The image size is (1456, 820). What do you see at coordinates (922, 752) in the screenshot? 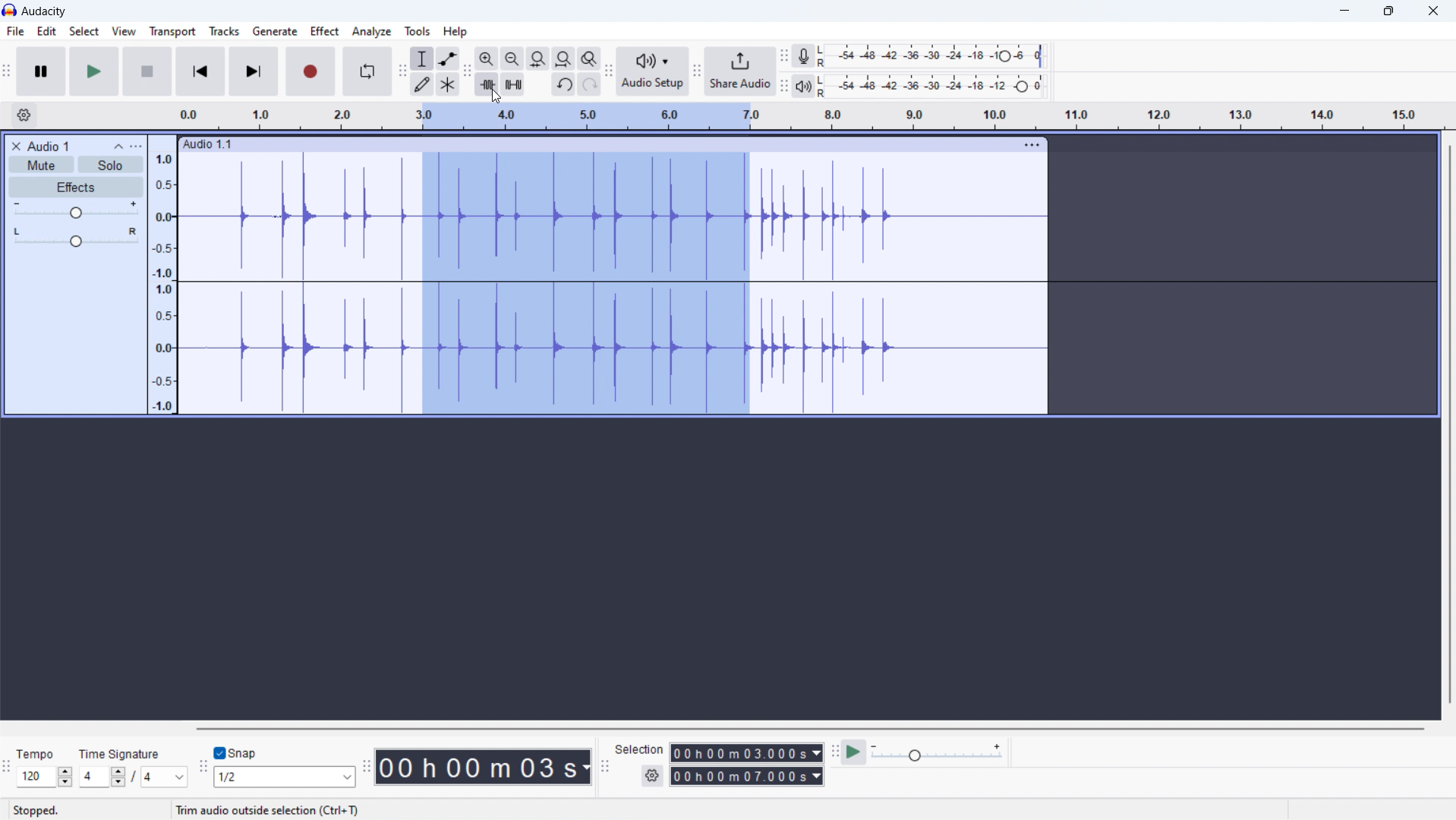
I see `play at speed` at bounding box center [922, 752].